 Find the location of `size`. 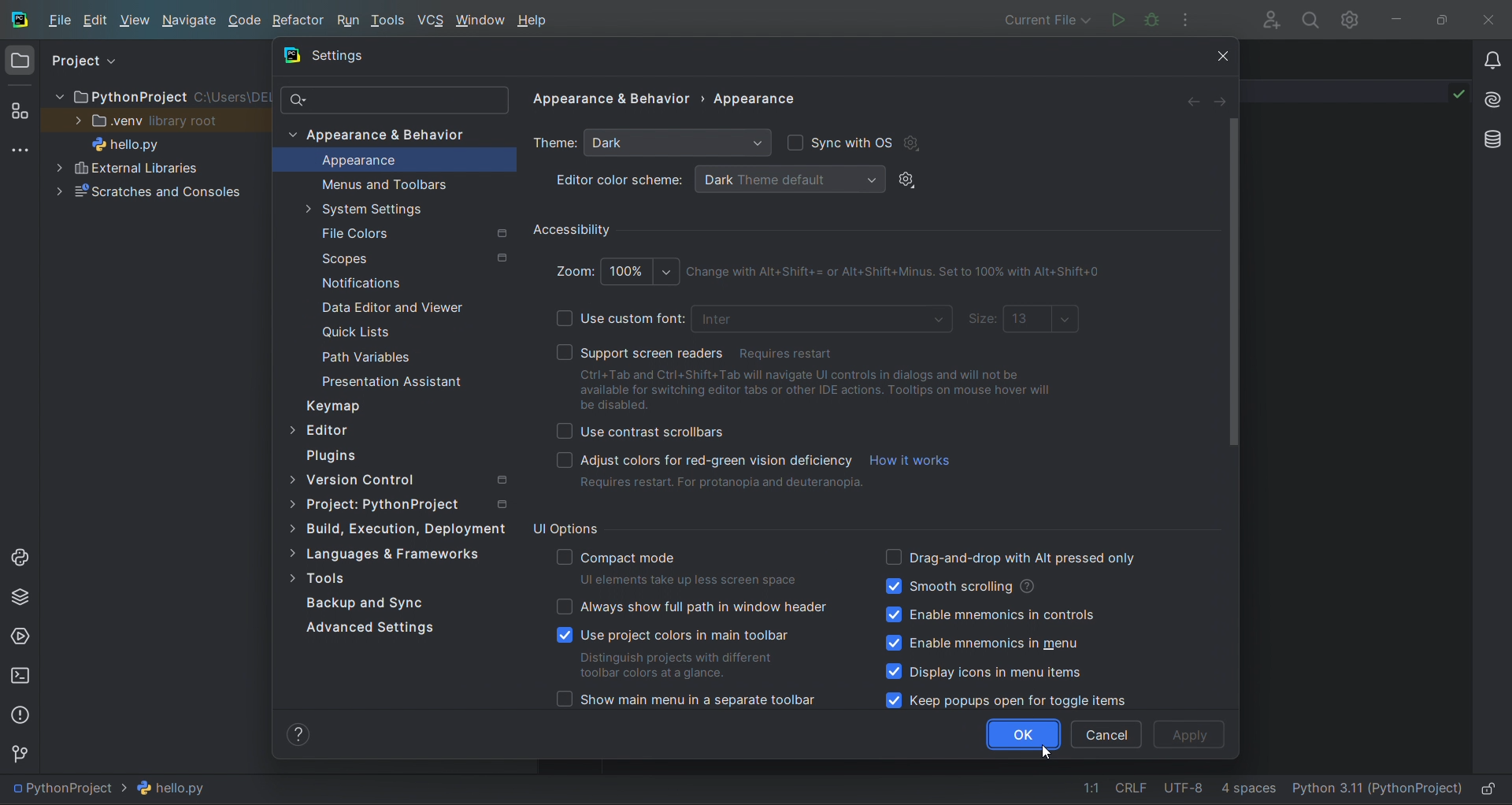

size is located at coordinates (979, 317).